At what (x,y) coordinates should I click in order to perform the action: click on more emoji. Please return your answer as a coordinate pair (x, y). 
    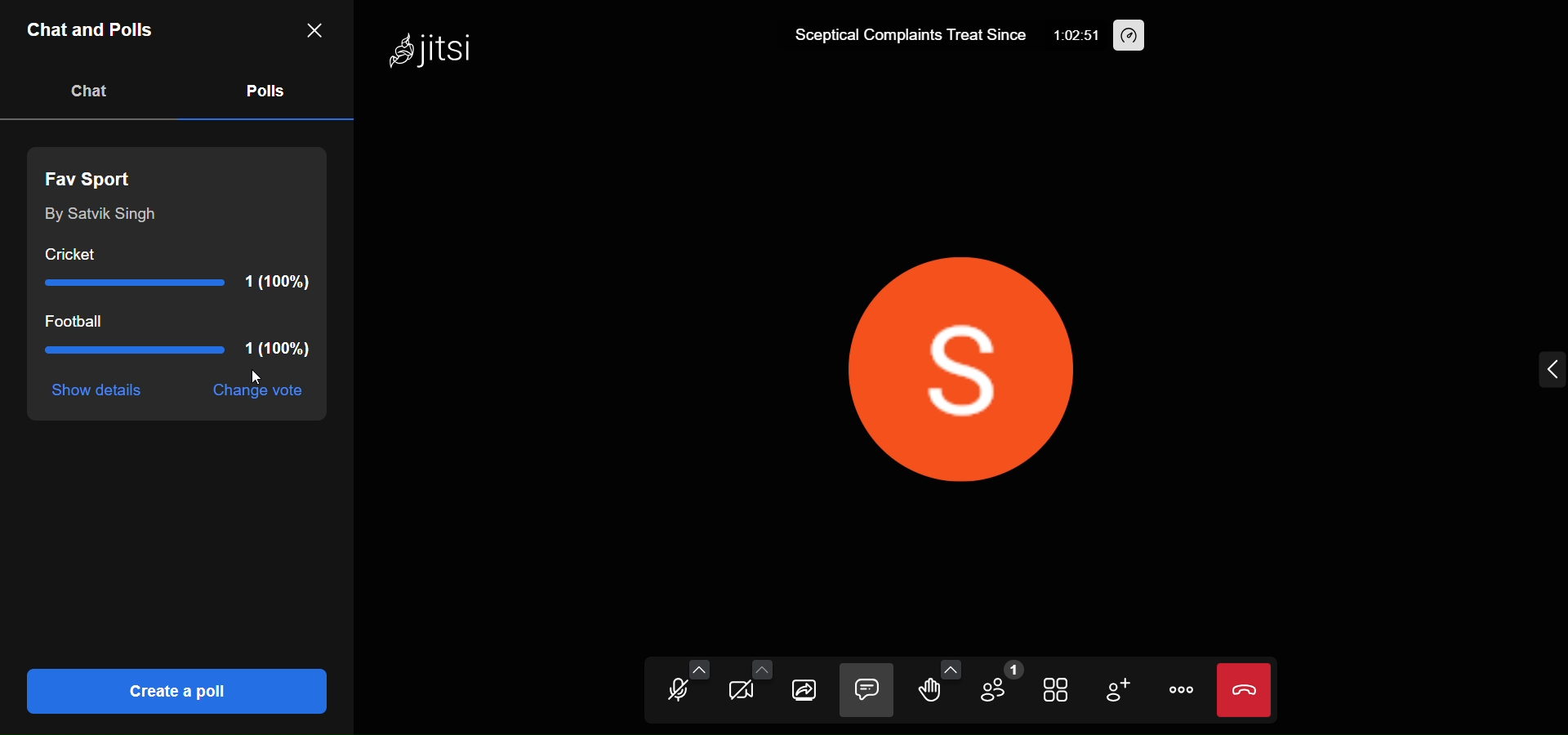
    Looking at the image, I should click on (951, 668).